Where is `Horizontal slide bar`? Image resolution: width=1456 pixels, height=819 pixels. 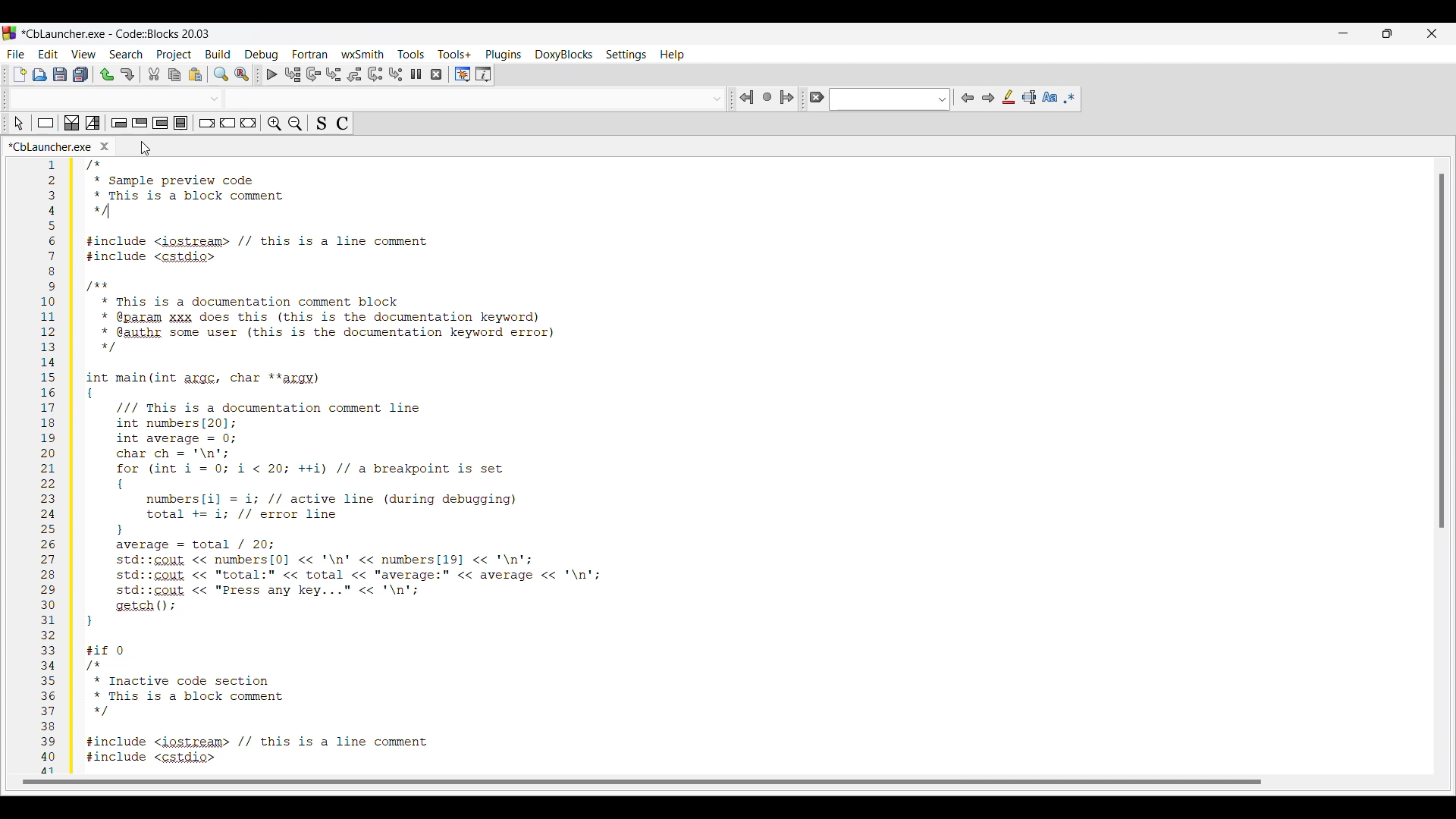 Horizontal slide bar is located at coordinates (645, 780).